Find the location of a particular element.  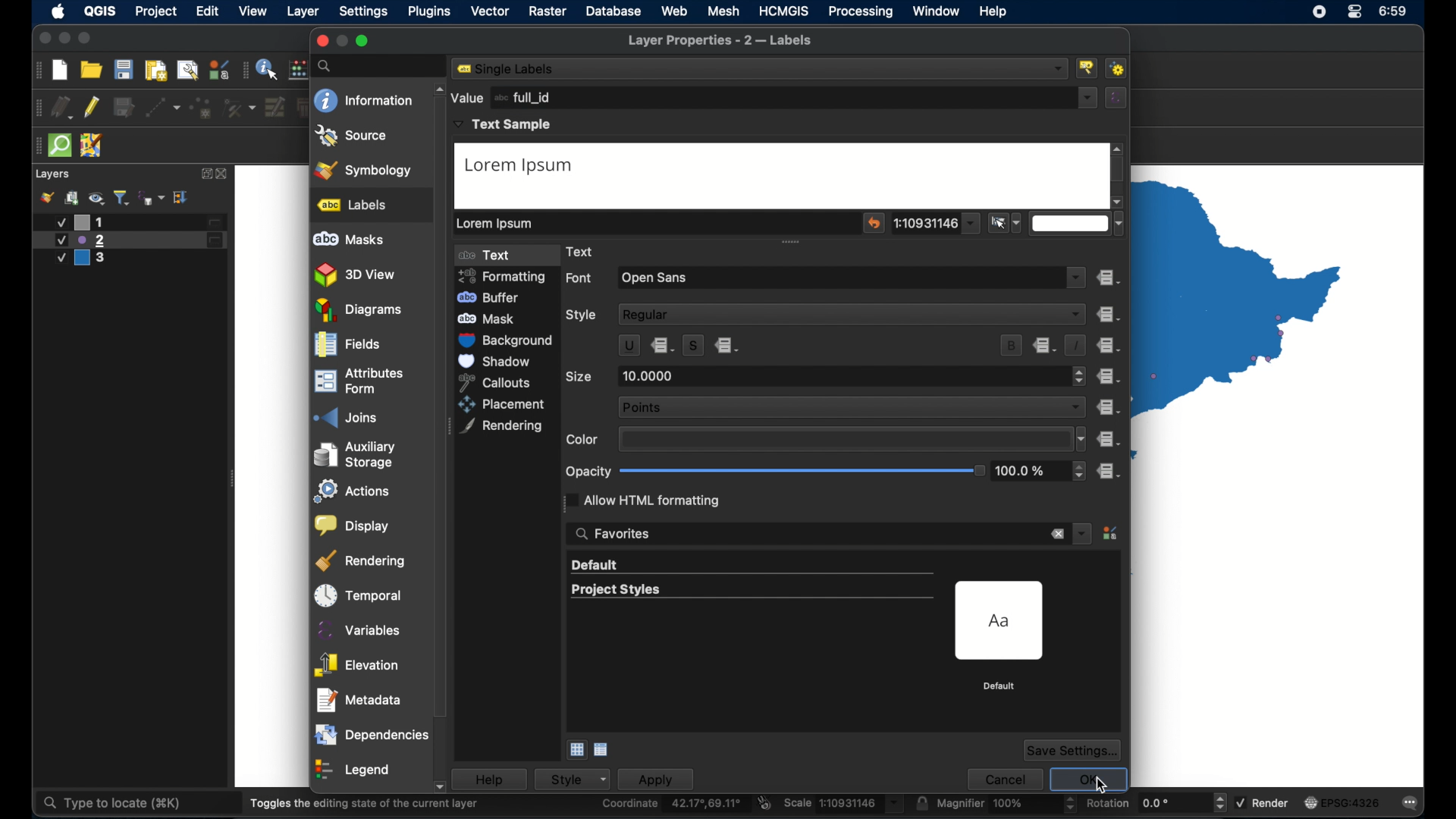

cancel is located at coordinates (1003, 777).